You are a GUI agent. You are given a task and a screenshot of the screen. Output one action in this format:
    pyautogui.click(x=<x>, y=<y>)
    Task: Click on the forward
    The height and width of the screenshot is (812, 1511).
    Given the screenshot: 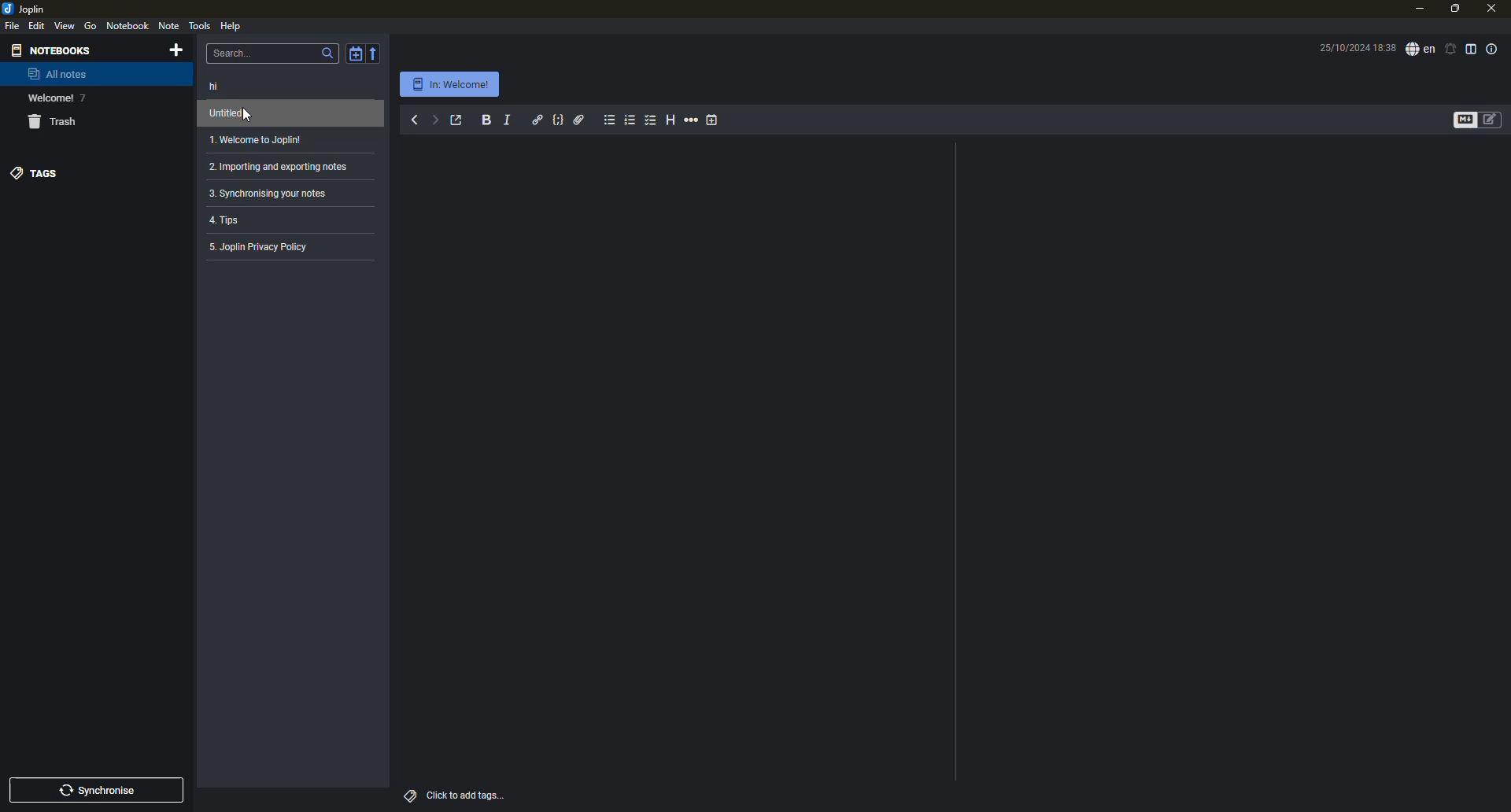 What is the action you would take?
    pyautogui.click(x=434, y=118)
    